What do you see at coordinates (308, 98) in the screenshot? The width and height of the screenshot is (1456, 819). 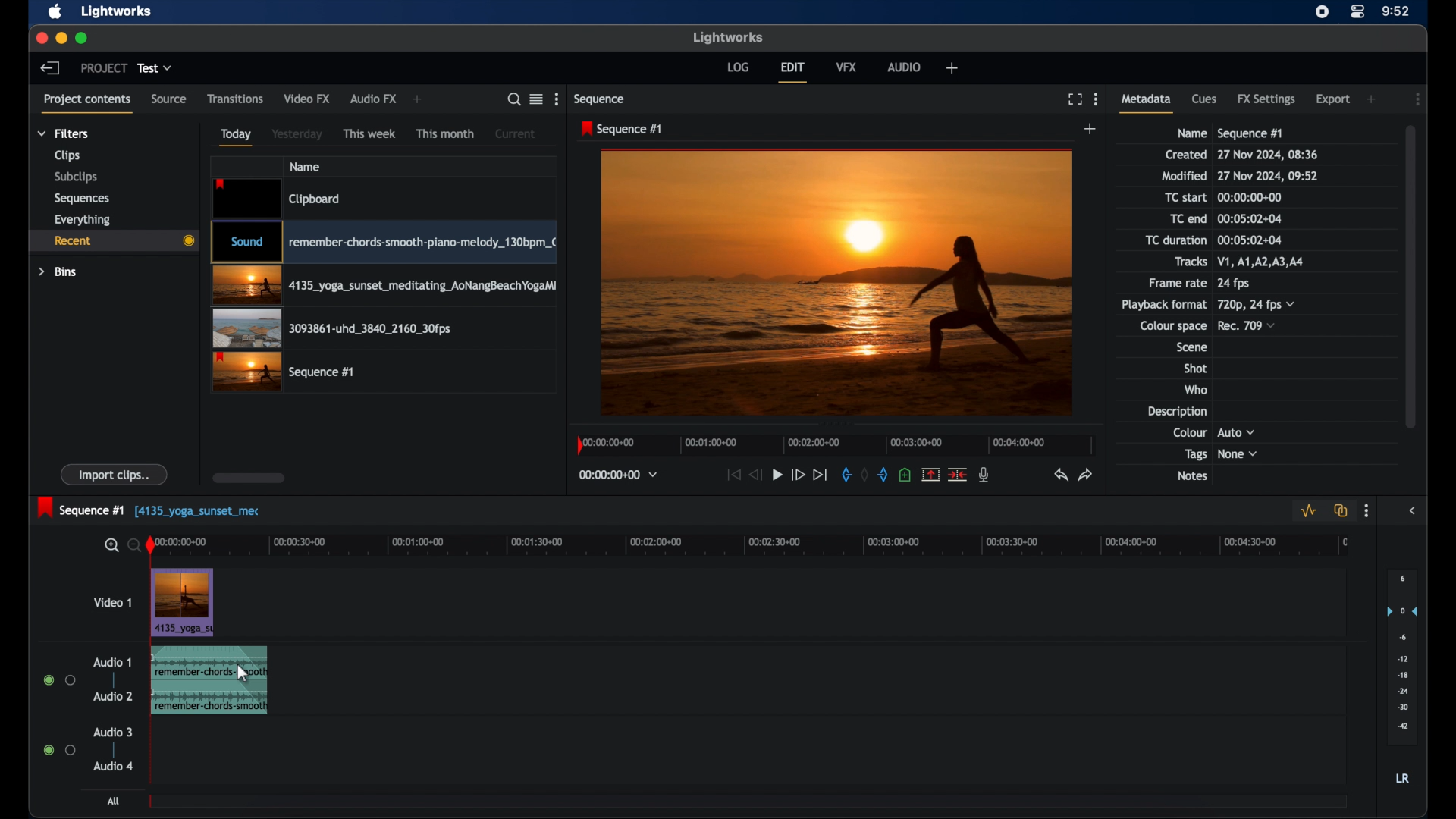 I see `video fx` at bounding box center [308, 98].